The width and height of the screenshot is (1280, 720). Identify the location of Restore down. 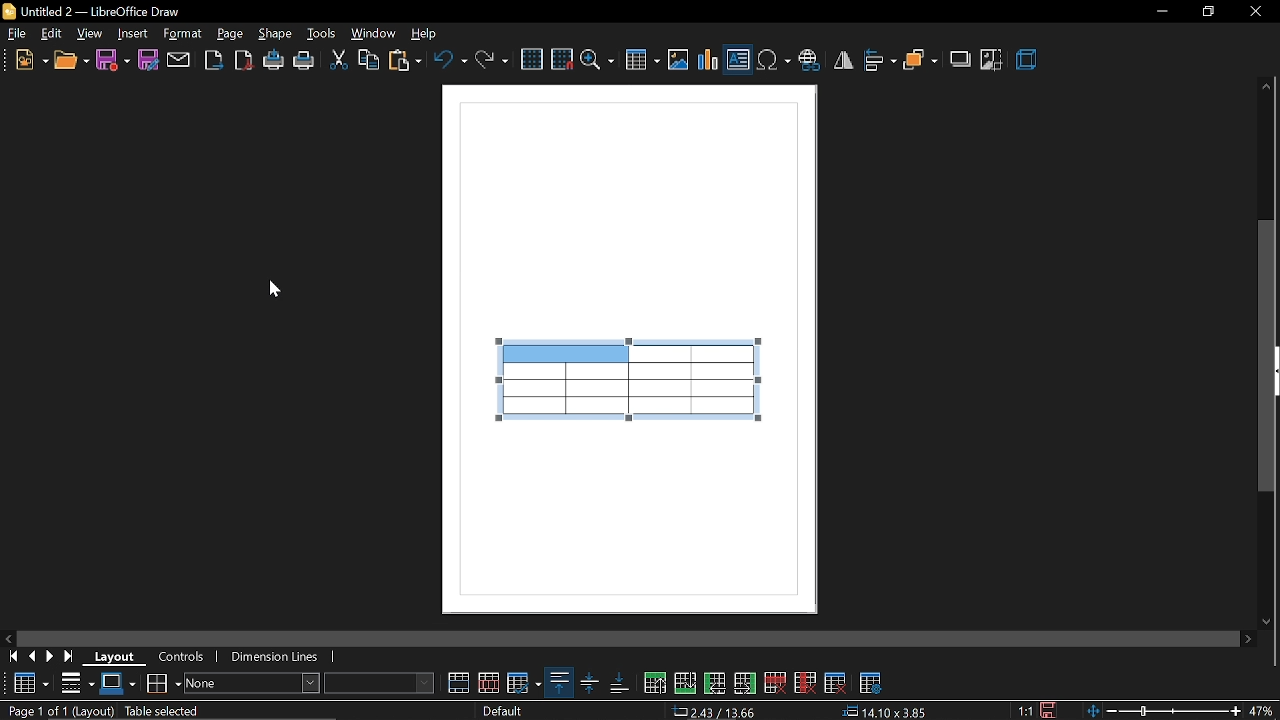
(1205, 13).